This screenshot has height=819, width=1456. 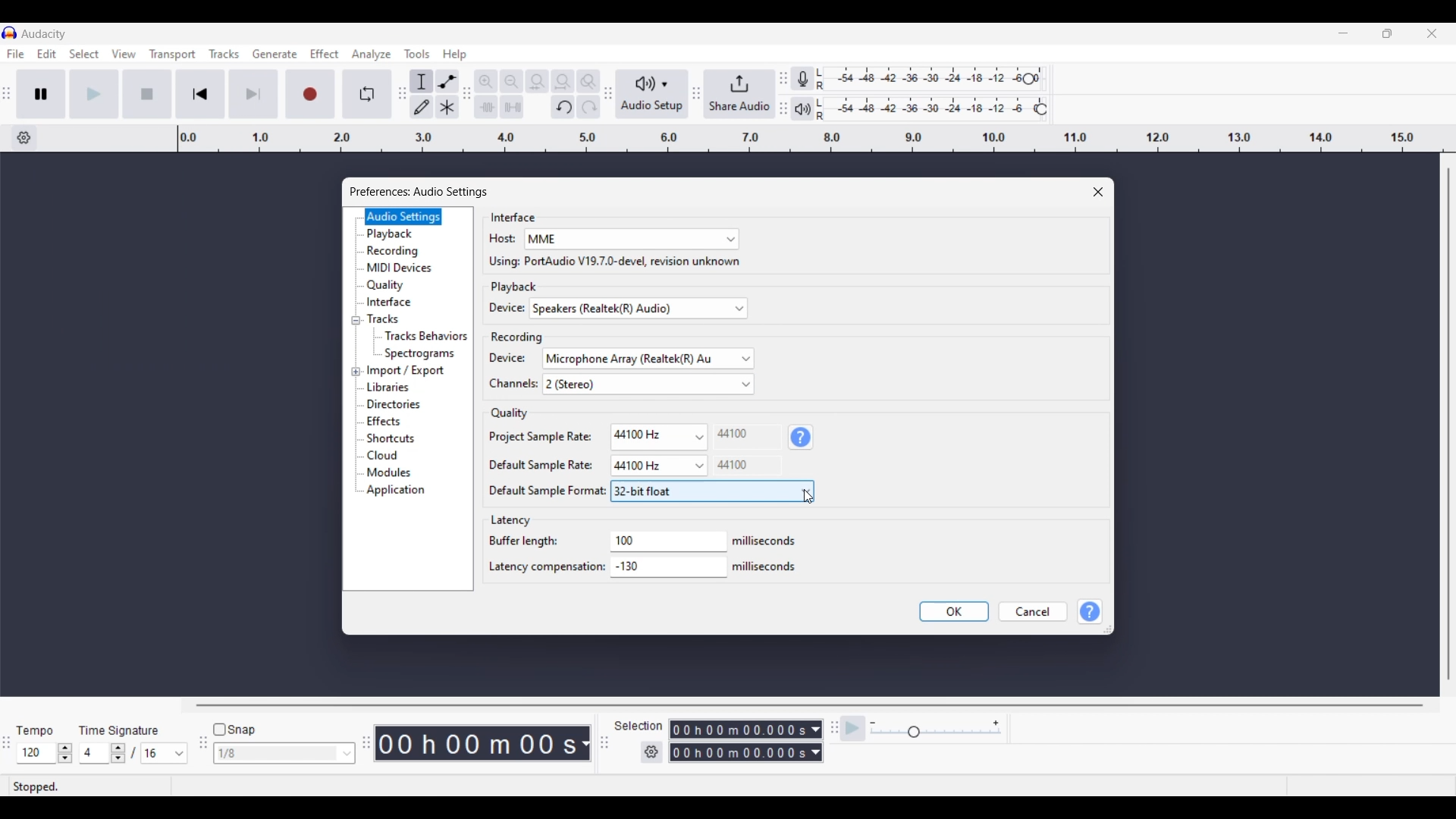 What do you see at coordinates (648, 359) in the screenshot?
I see `Device options` at bounding box center [648, 359].